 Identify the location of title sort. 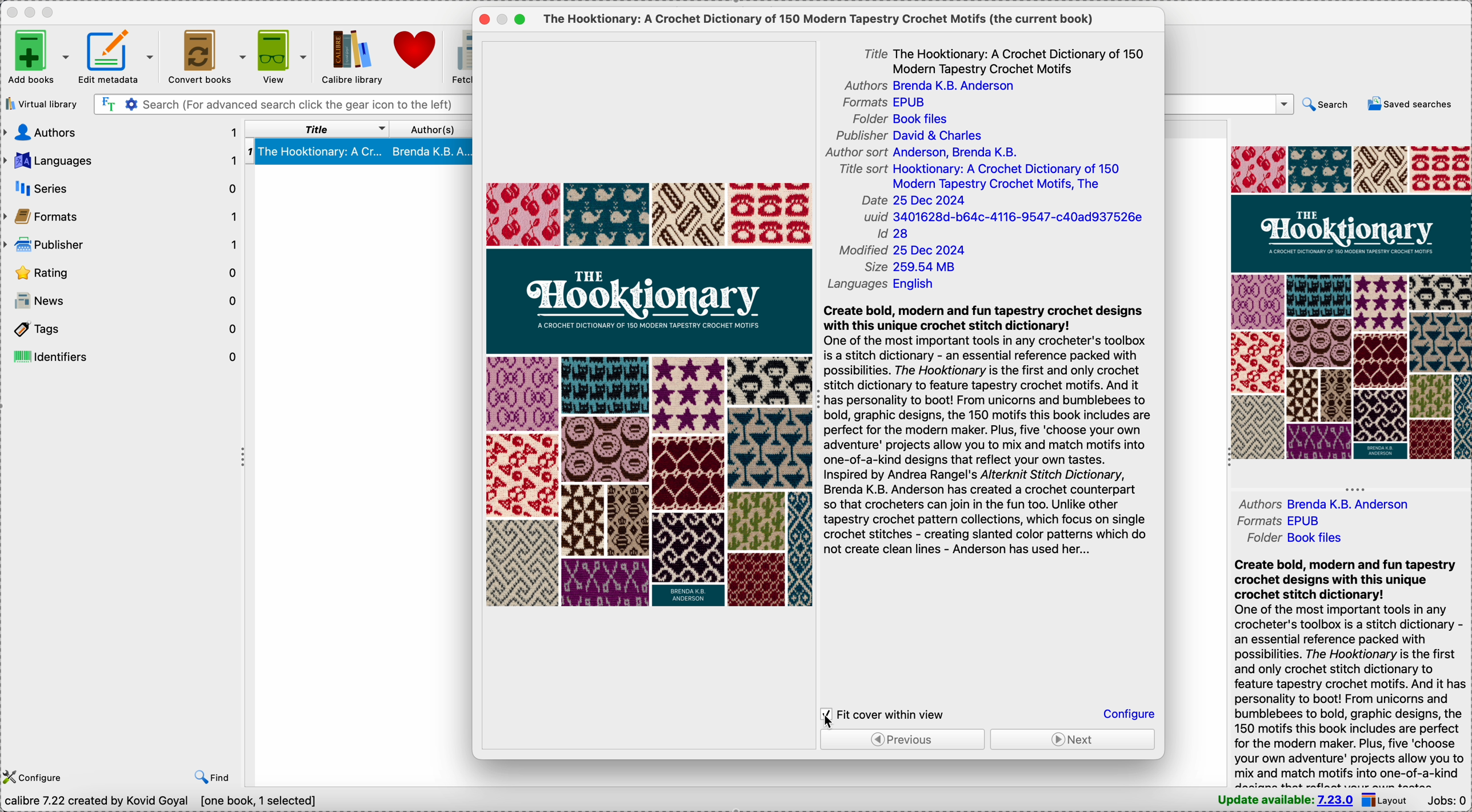
(981, 178).